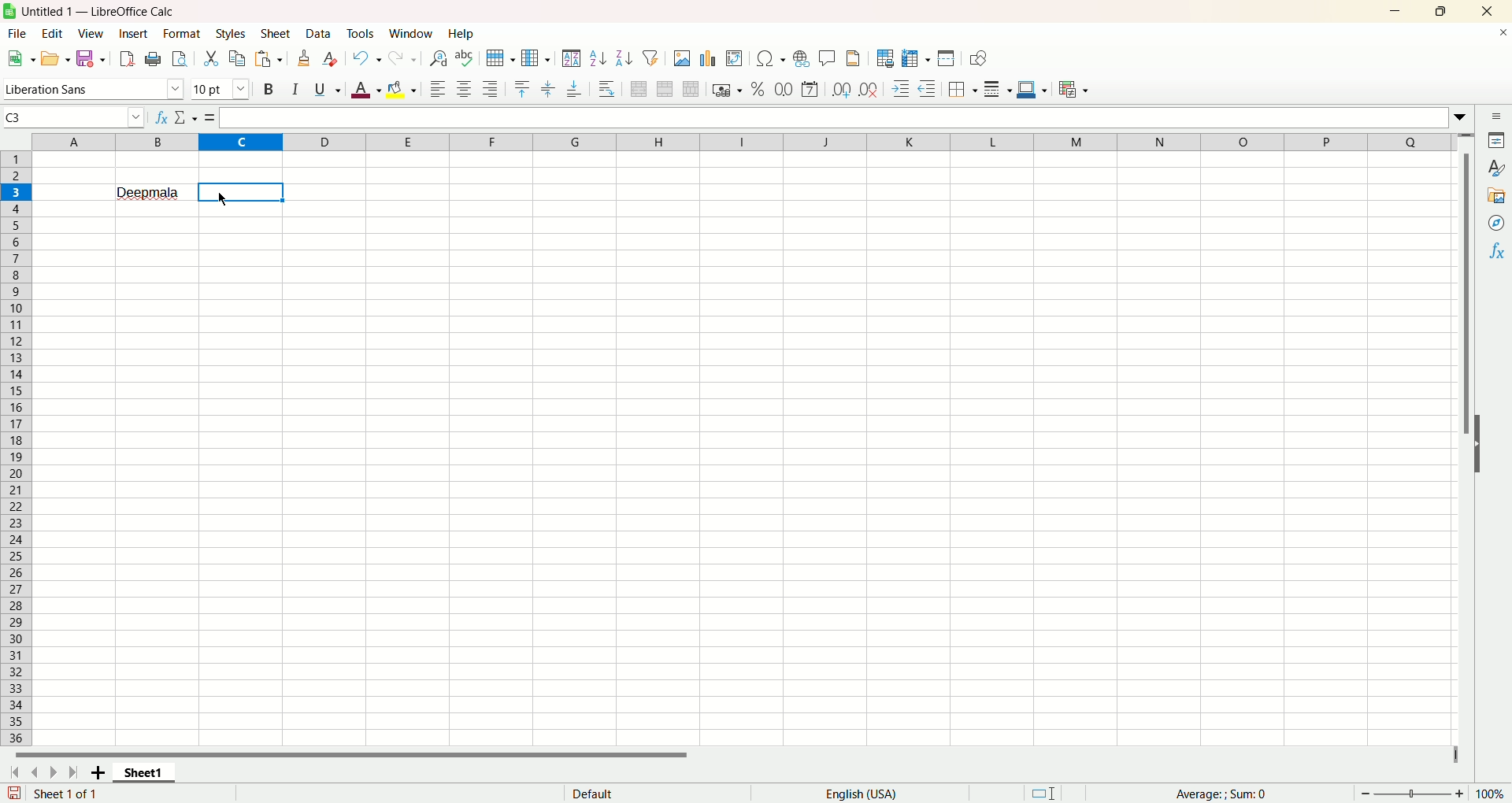 The image size is (1512, 803). What do you see at coordinates (692, 89) in the screenshot?
I see `Unmerge` at bounding box center [692, 89].